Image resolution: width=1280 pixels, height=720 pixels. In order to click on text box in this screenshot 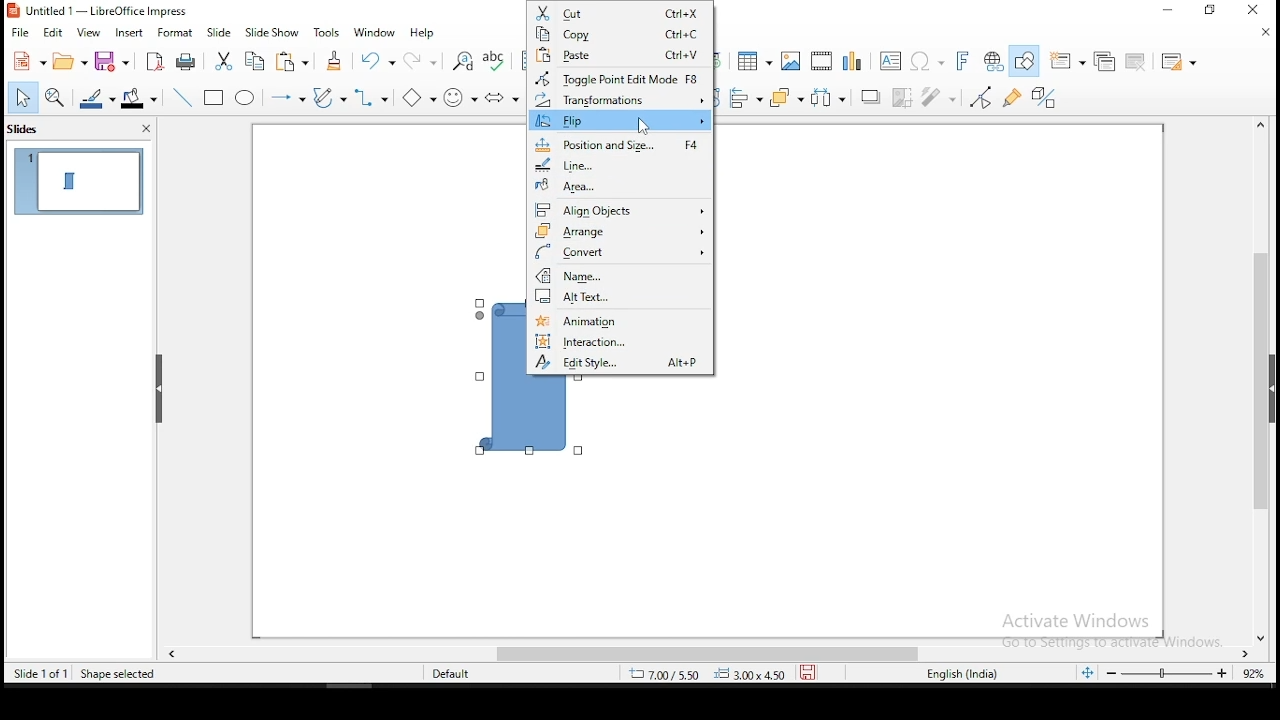, I will do `click(890, 60)`.